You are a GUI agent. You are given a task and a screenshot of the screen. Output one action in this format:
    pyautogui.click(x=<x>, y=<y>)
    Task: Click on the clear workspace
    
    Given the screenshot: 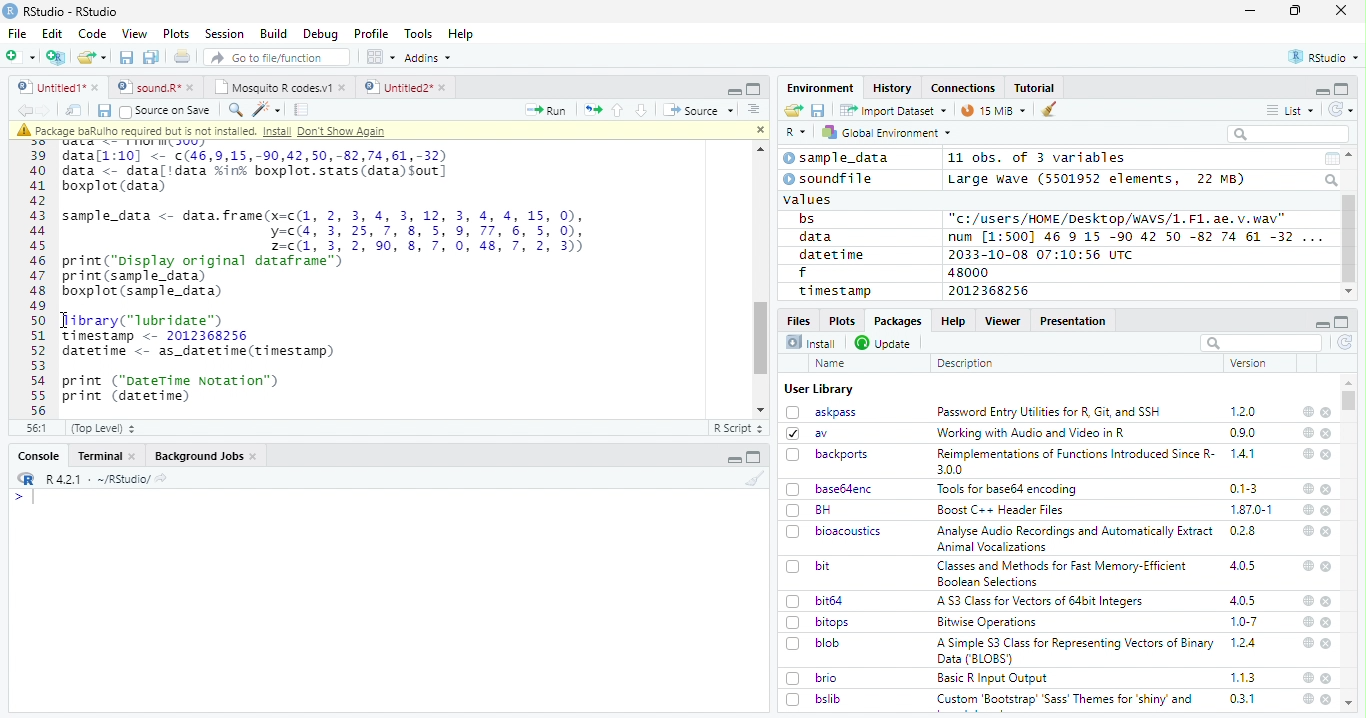 What is the action you would take?
    pyautogui.click(x=751, y=478)
    